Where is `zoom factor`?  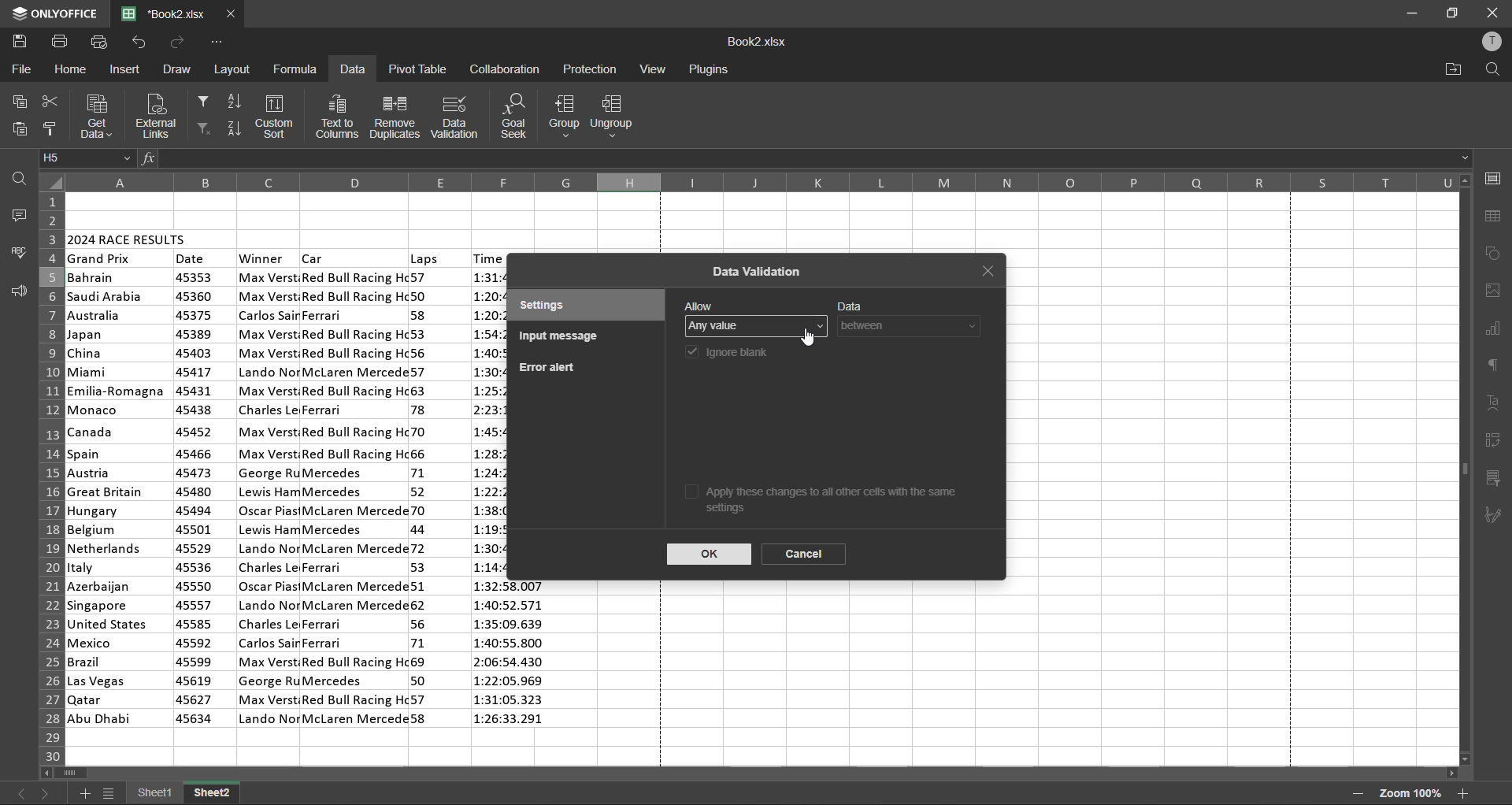 zoom factor is located at coordinates (1411, 794).